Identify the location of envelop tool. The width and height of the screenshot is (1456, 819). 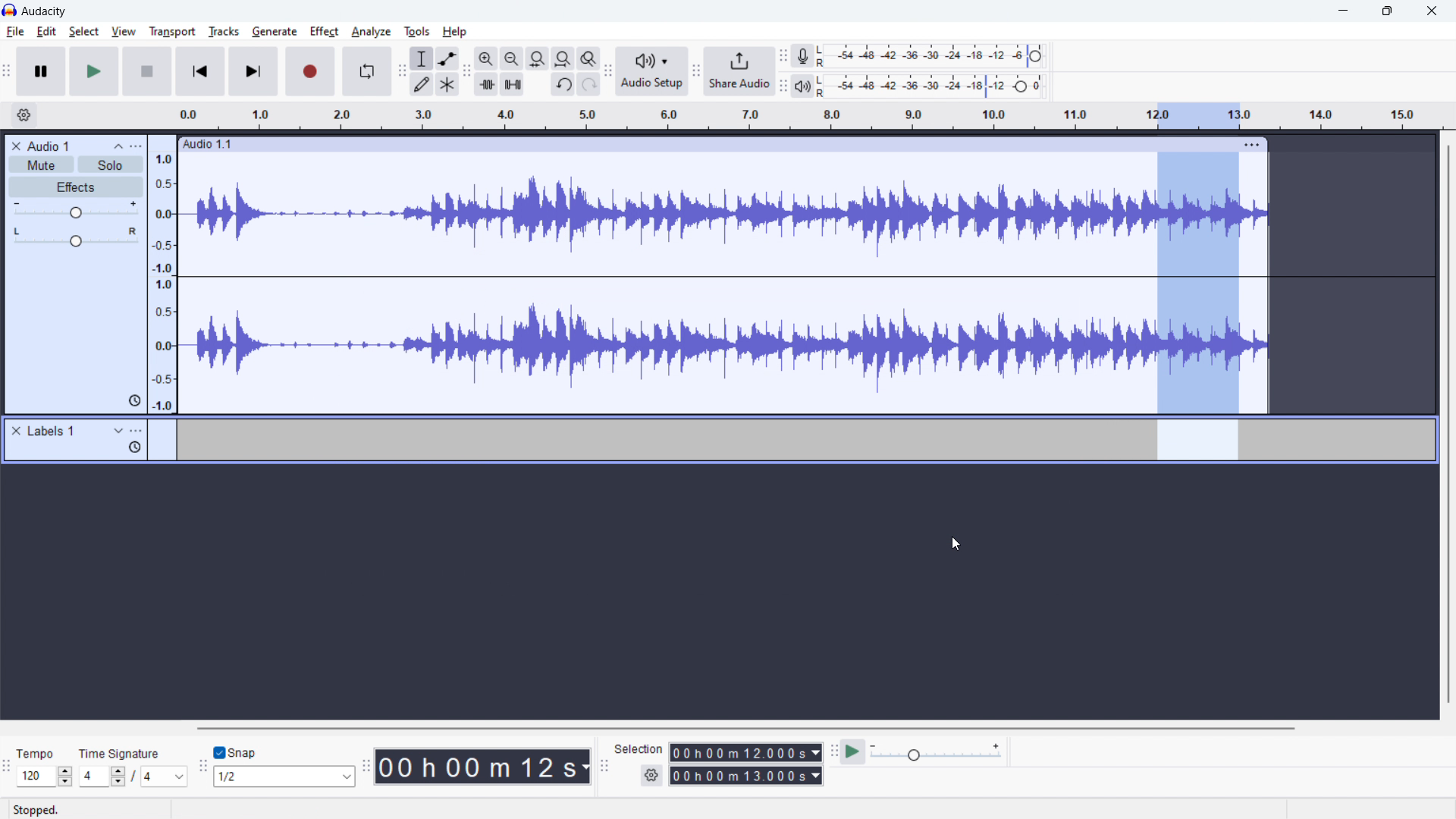
(447, 58).